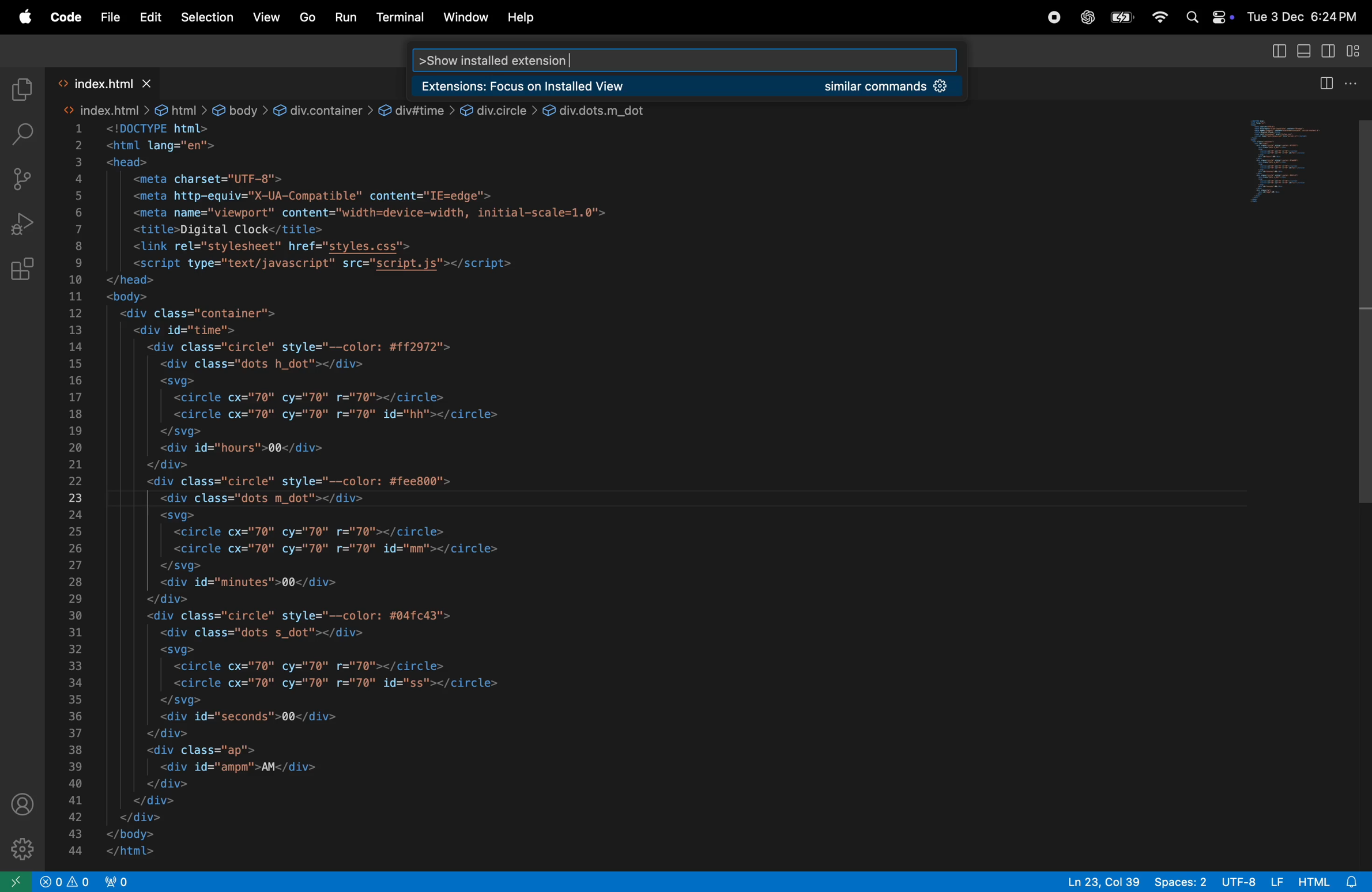  I want to click on record, so click(1053, 18).